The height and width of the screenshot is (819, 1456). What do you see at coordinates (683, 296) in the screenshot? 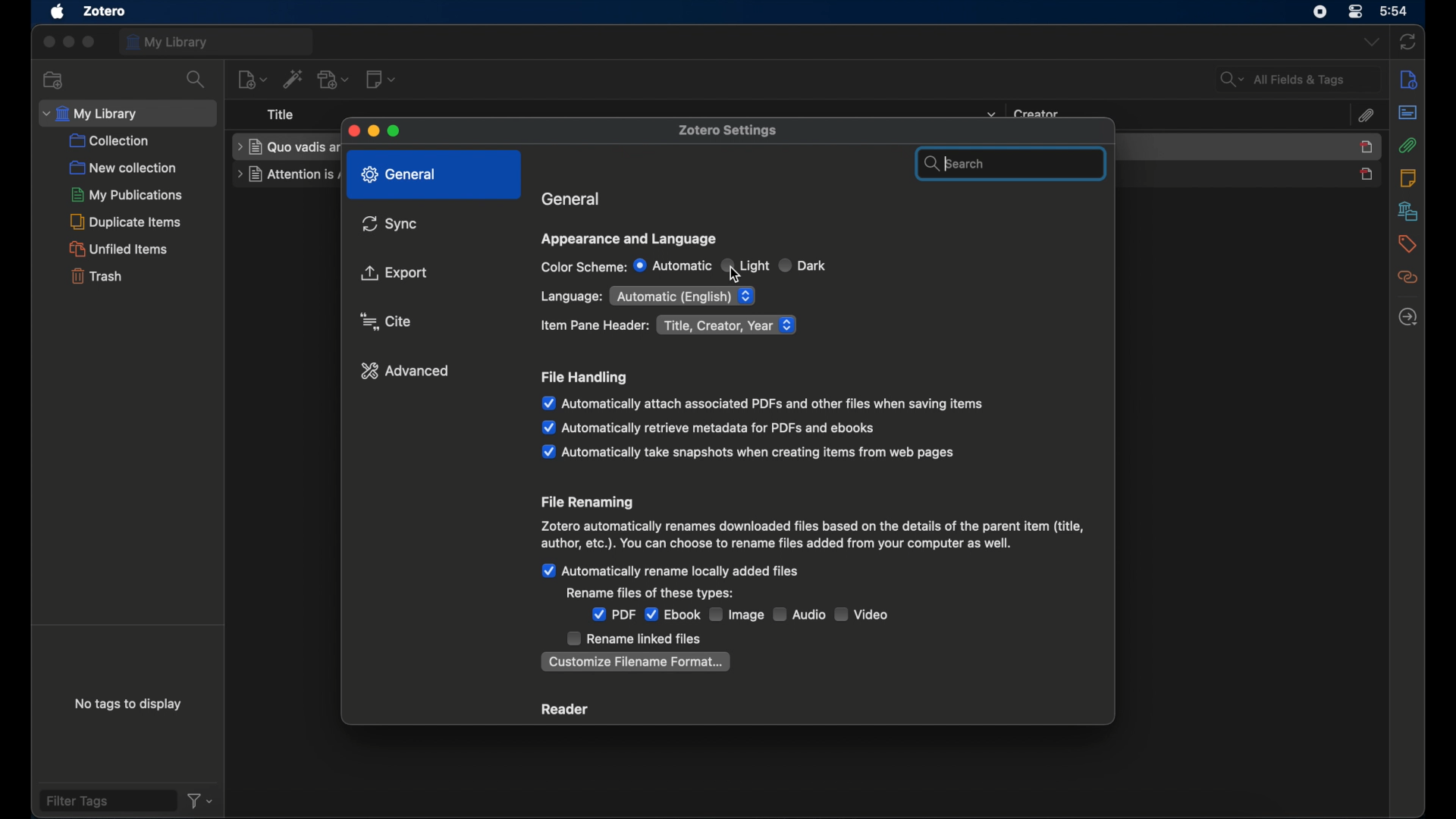
I see `automatic (English)` at bounding box center [683, 296].